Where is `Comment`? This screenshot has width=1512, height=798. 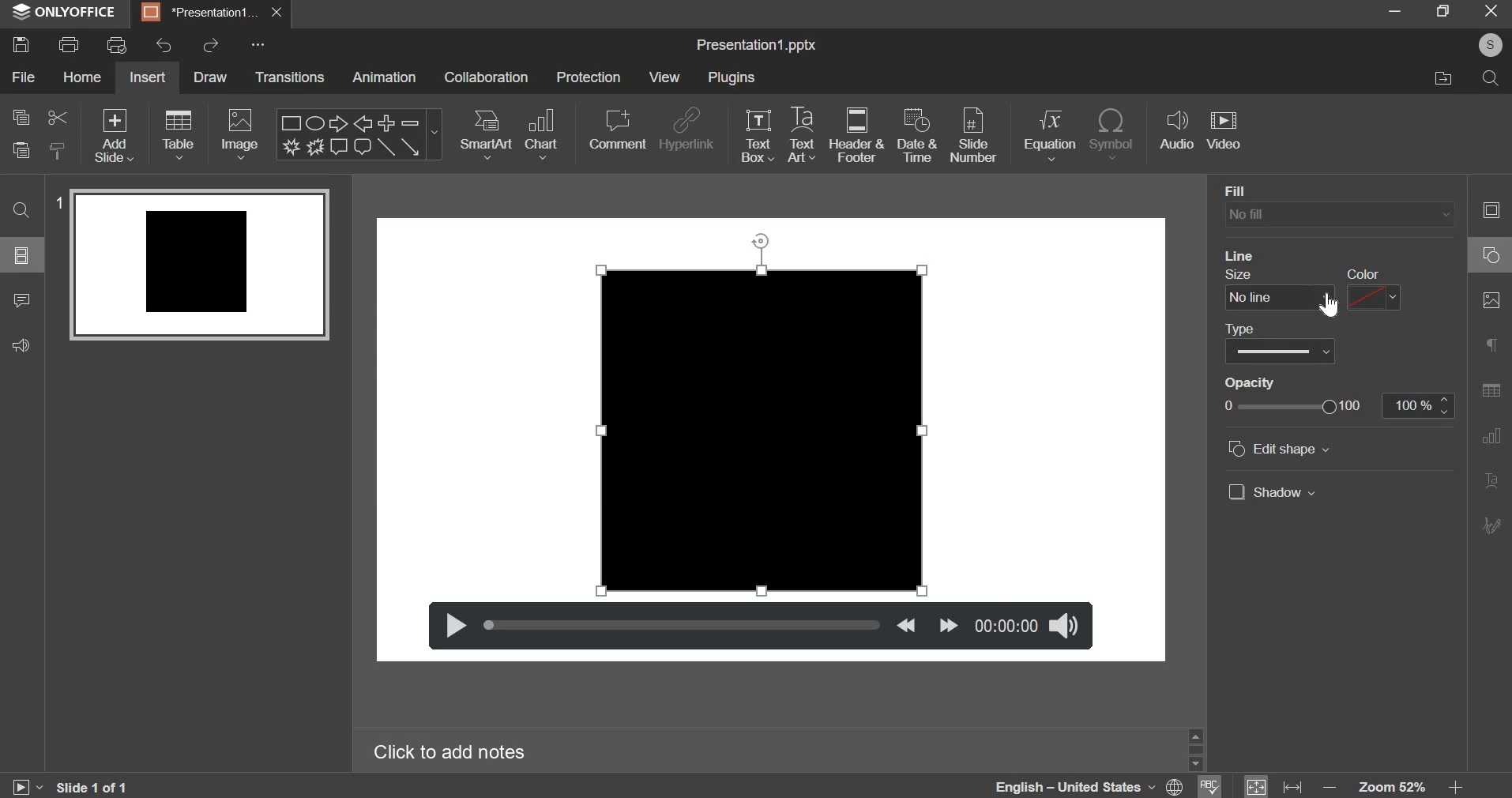 Comment is located at coordinates (340, 148).